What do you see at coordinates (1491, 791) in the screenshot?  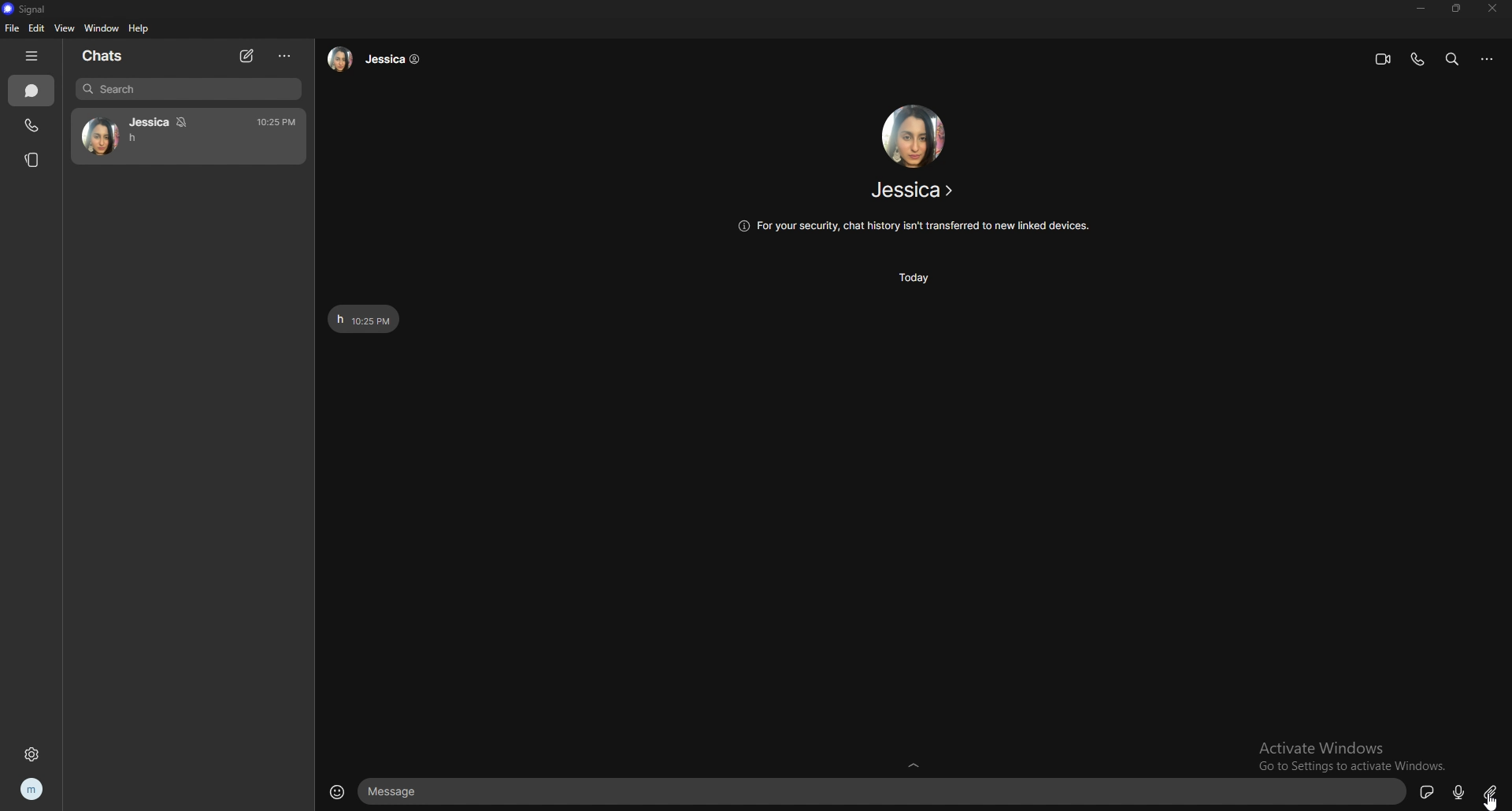 I see `attachment` at bounding box center [1491, 791].